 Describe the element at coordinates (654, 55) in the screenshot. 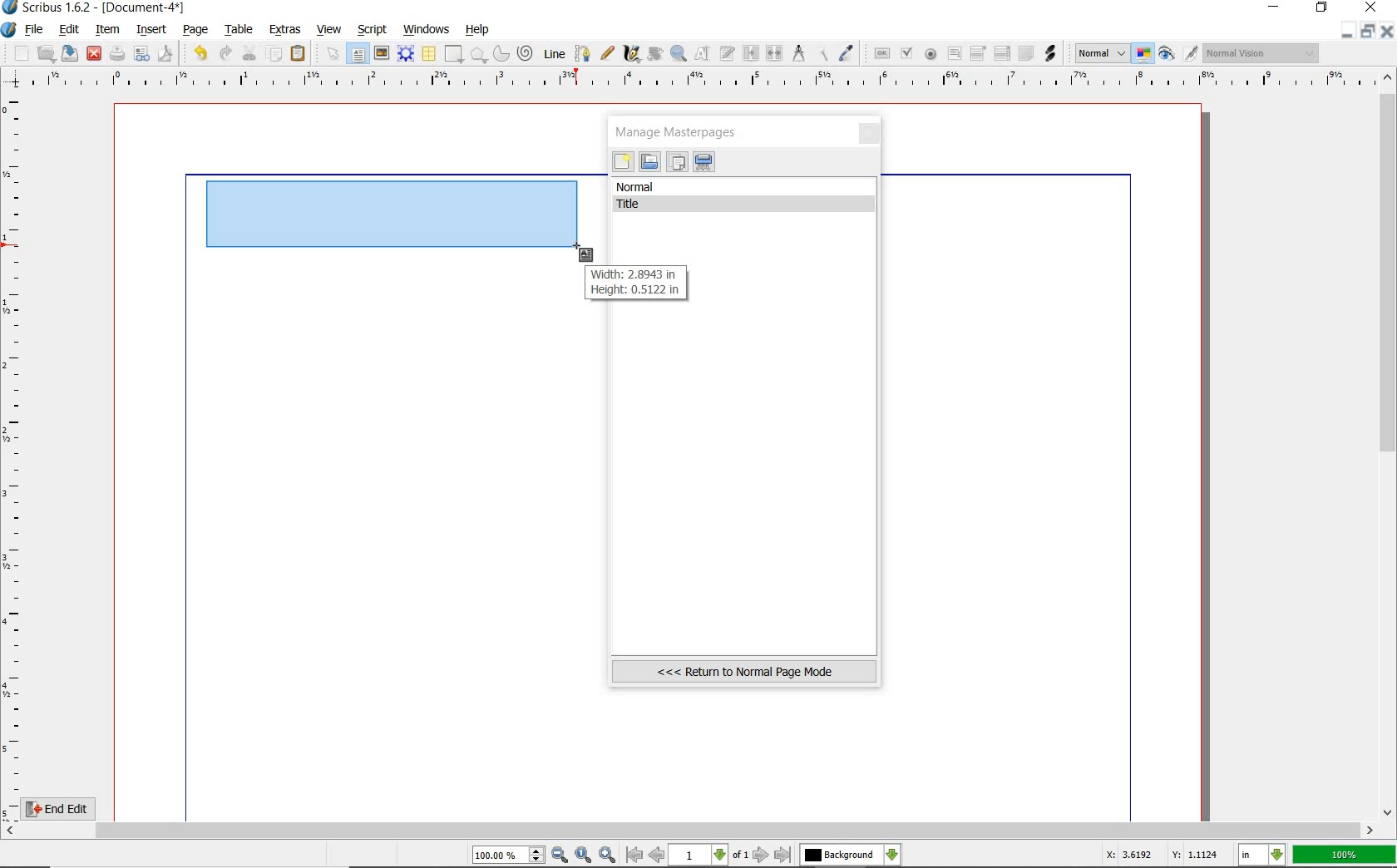

I see `rotate item` at that location.